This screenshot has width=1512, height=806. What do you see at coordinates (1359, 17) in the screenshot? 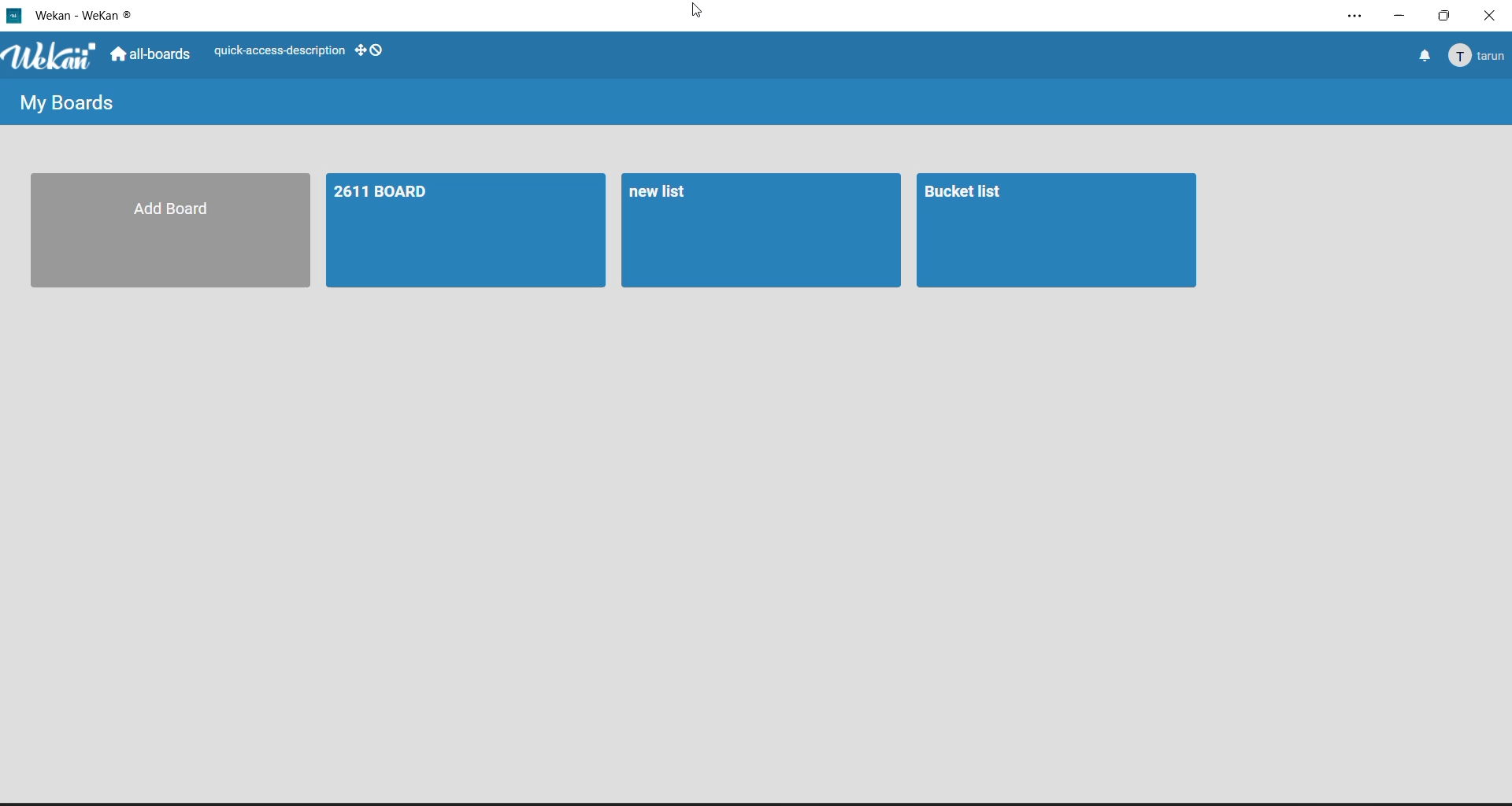
I see `settings` at bounding box center [1359, 17].